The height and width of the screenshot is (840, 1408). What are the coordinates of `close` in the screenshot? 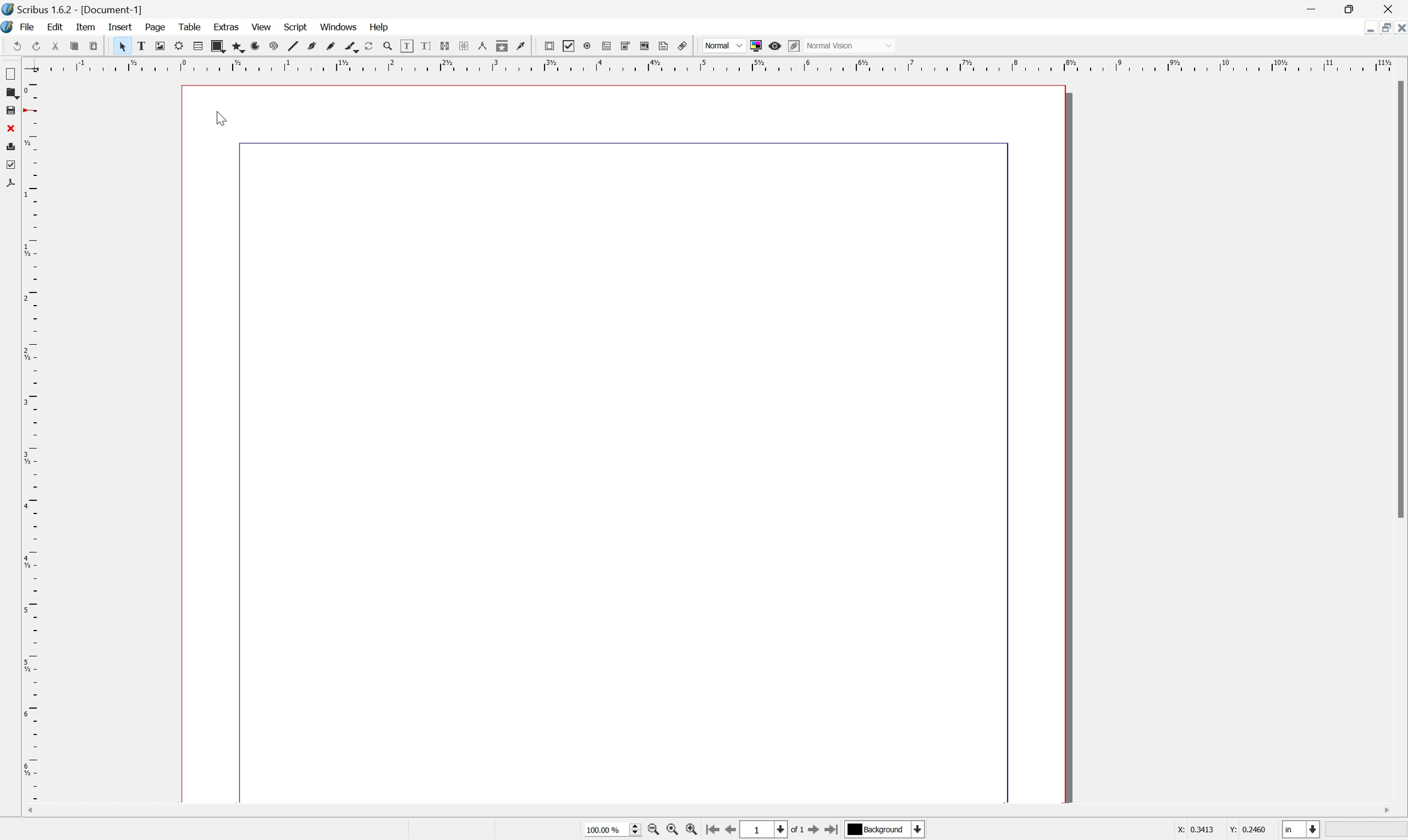 It's located at (73, 45).